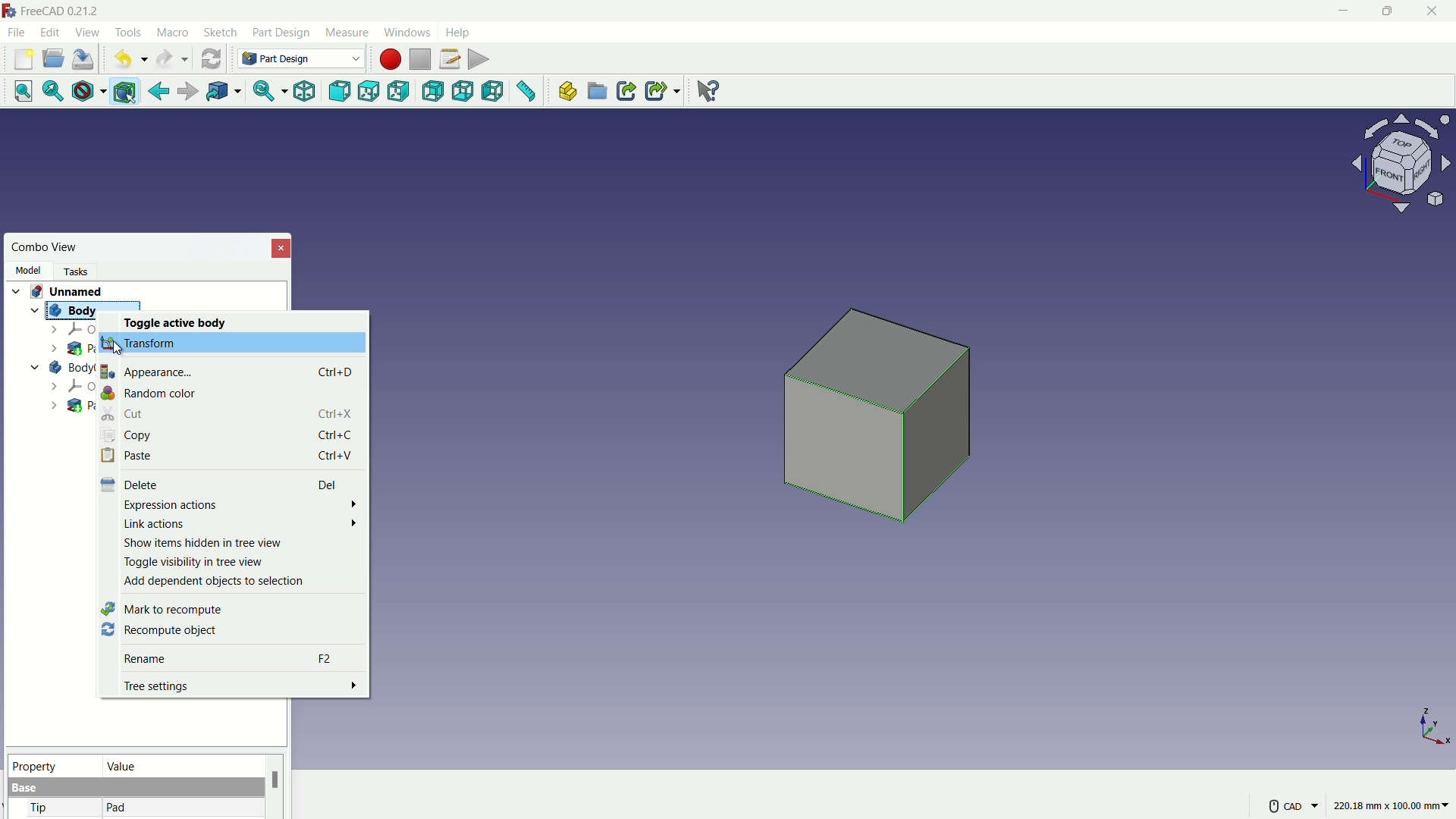 Image resolution: width=1456 pixels, height=819 pixels. Describe the element at coordinates (151, 393) in the screenshot. I see `Random color` at that location.